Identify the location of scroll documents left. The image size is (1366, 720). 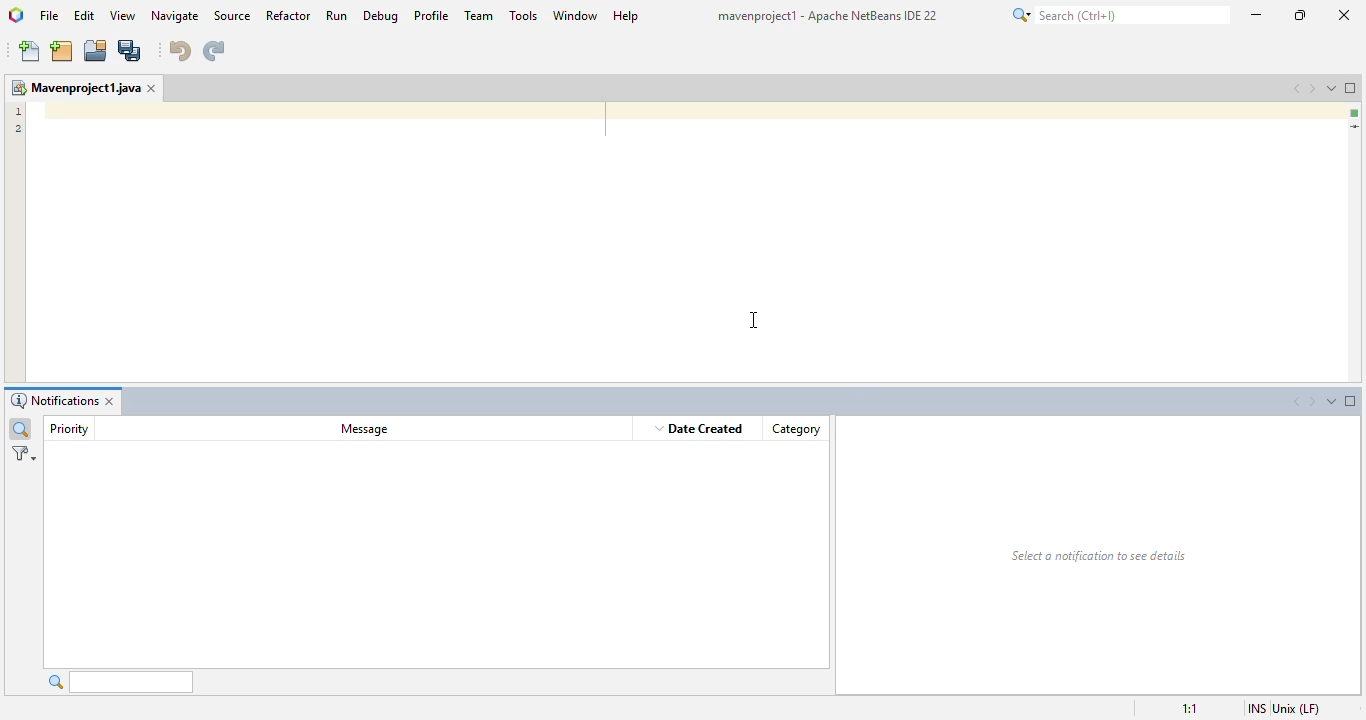
(1293, 403).